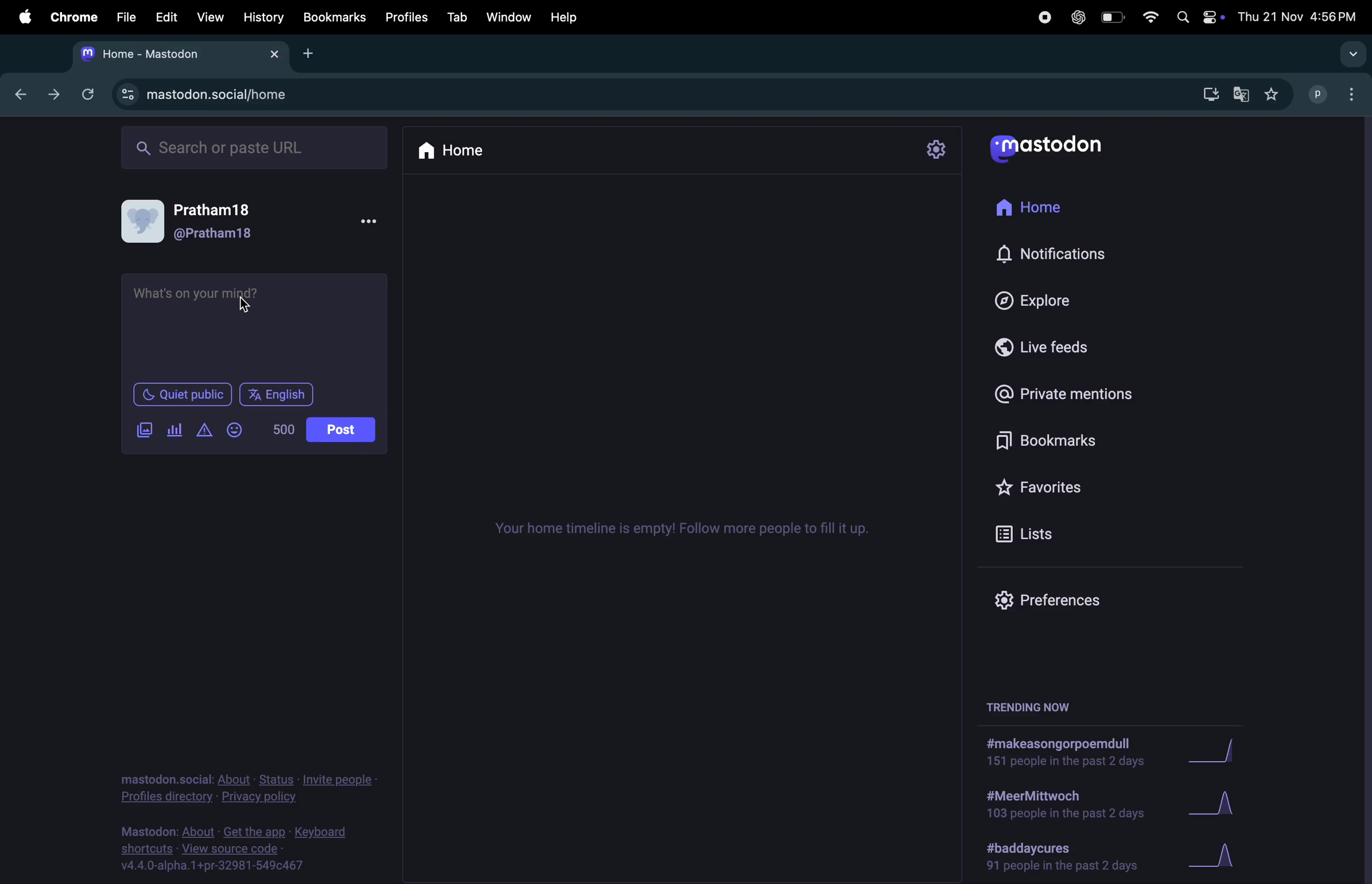 This screenshot has height=884, width=1372. Describe the element at coordinates (209, 17) in the screenshot. I see `view` at that location.